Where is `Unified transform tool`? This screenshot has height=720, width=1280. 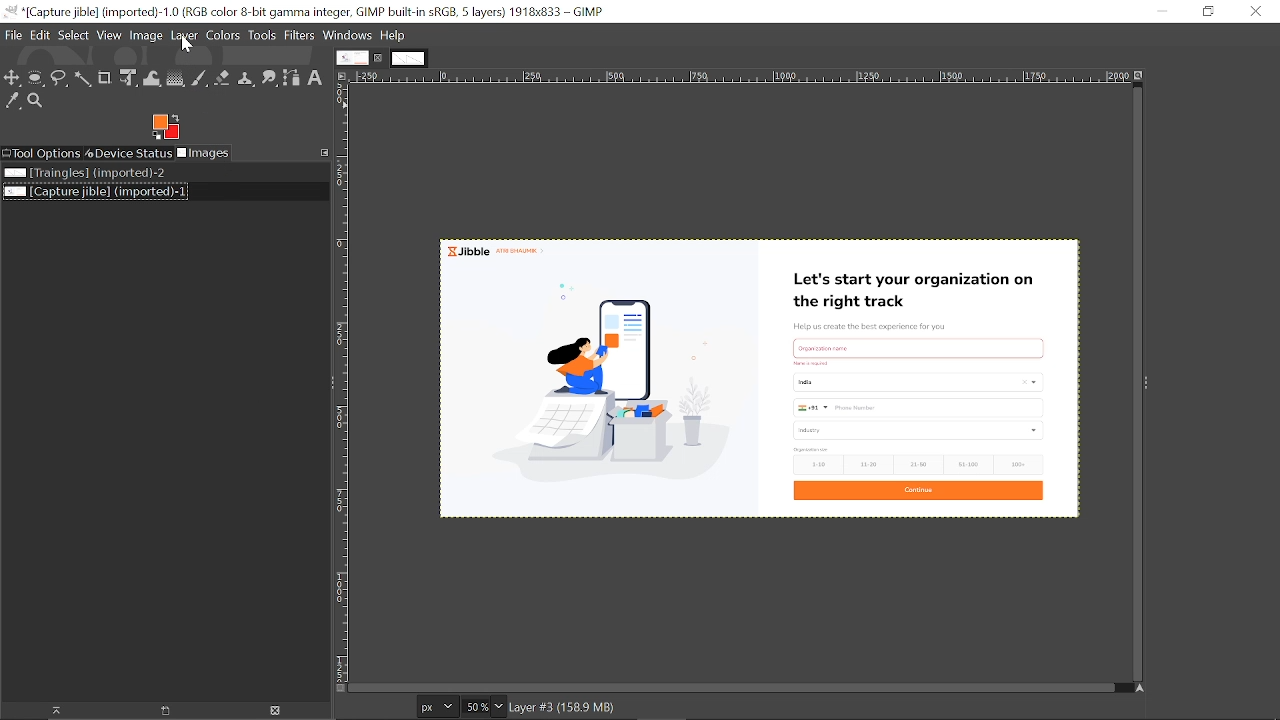 Unified transform tool is located at coordinates (128, 78).